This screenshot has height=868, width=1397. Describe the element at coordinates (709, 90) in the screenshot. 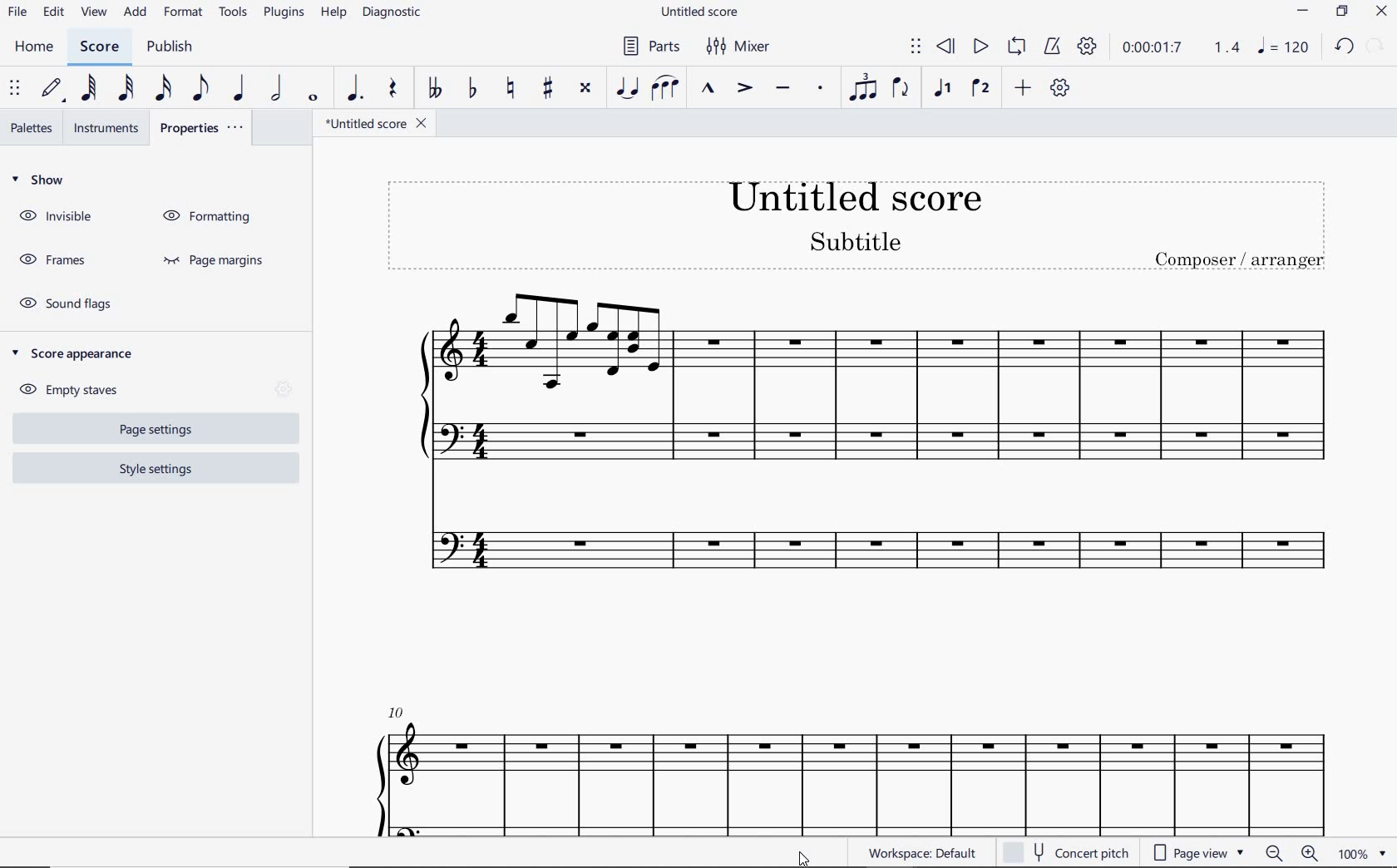

I see `MARCATO` at that location.